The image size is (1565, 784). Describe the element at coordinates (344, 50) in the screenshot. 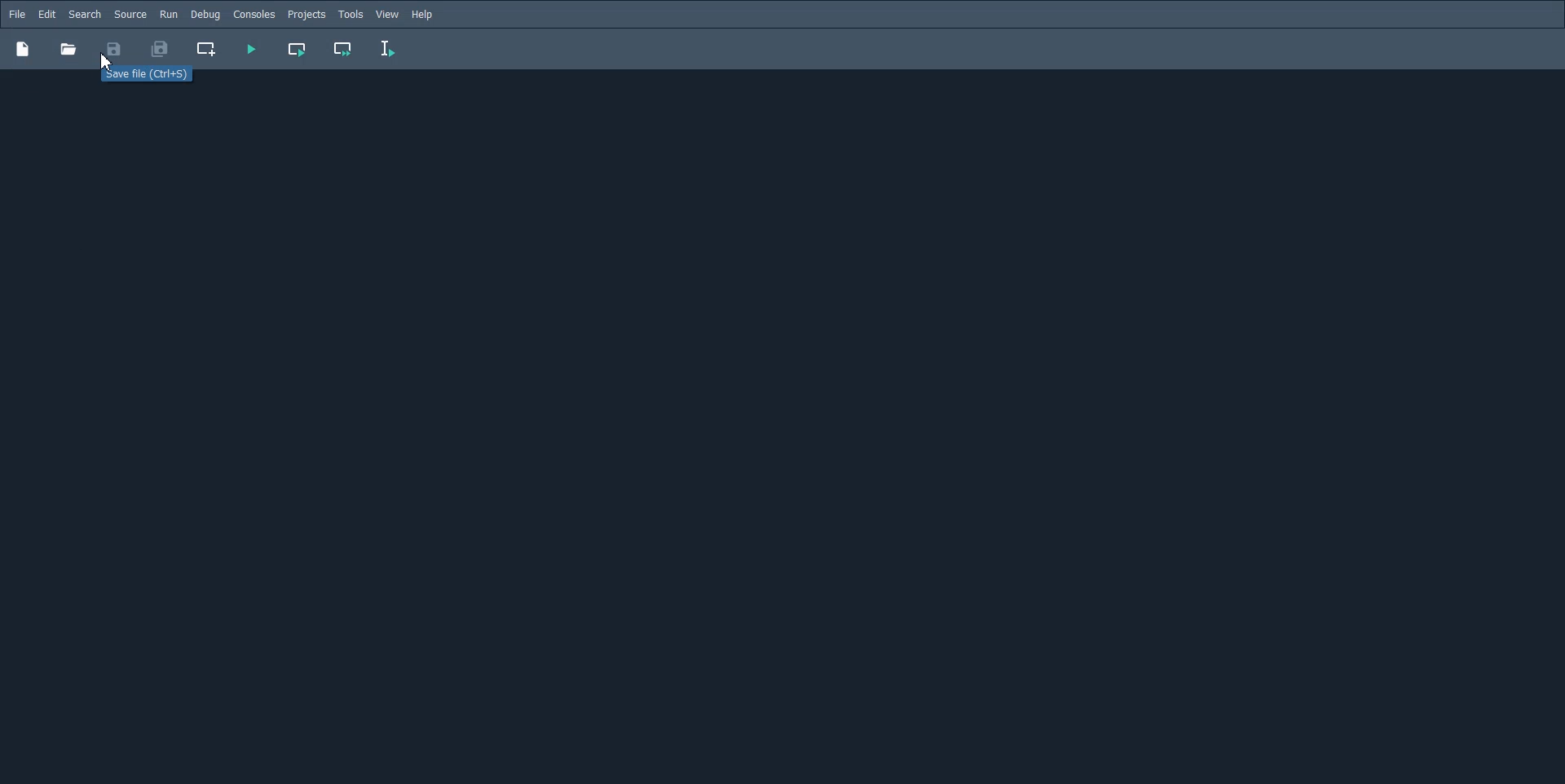

I see `Run Current cell and go to next cell` at that location.